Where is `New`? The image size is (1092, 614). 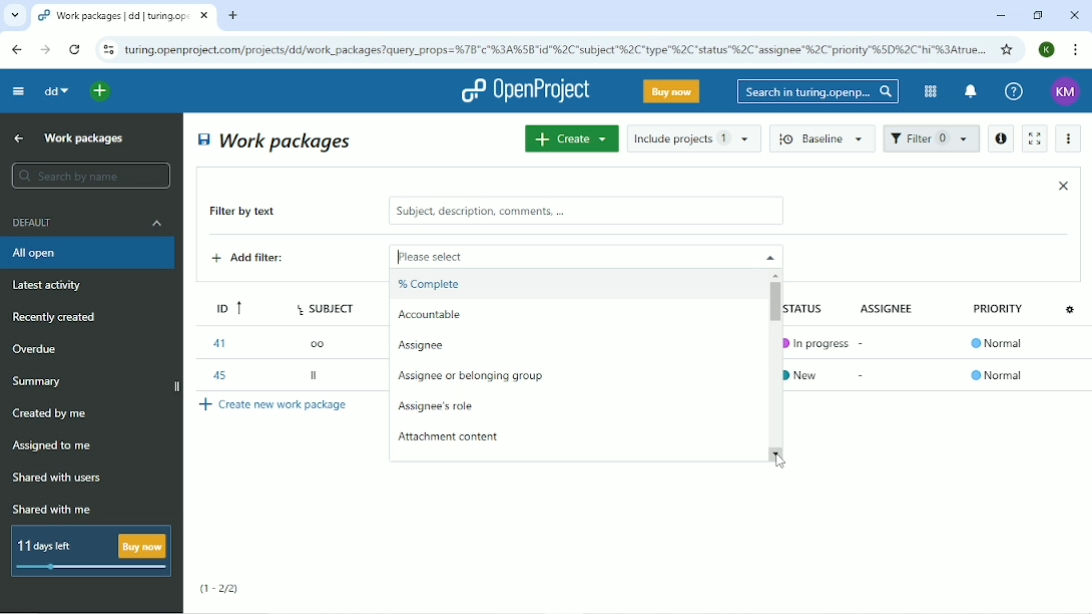 New is located at coordinates (808, 373).